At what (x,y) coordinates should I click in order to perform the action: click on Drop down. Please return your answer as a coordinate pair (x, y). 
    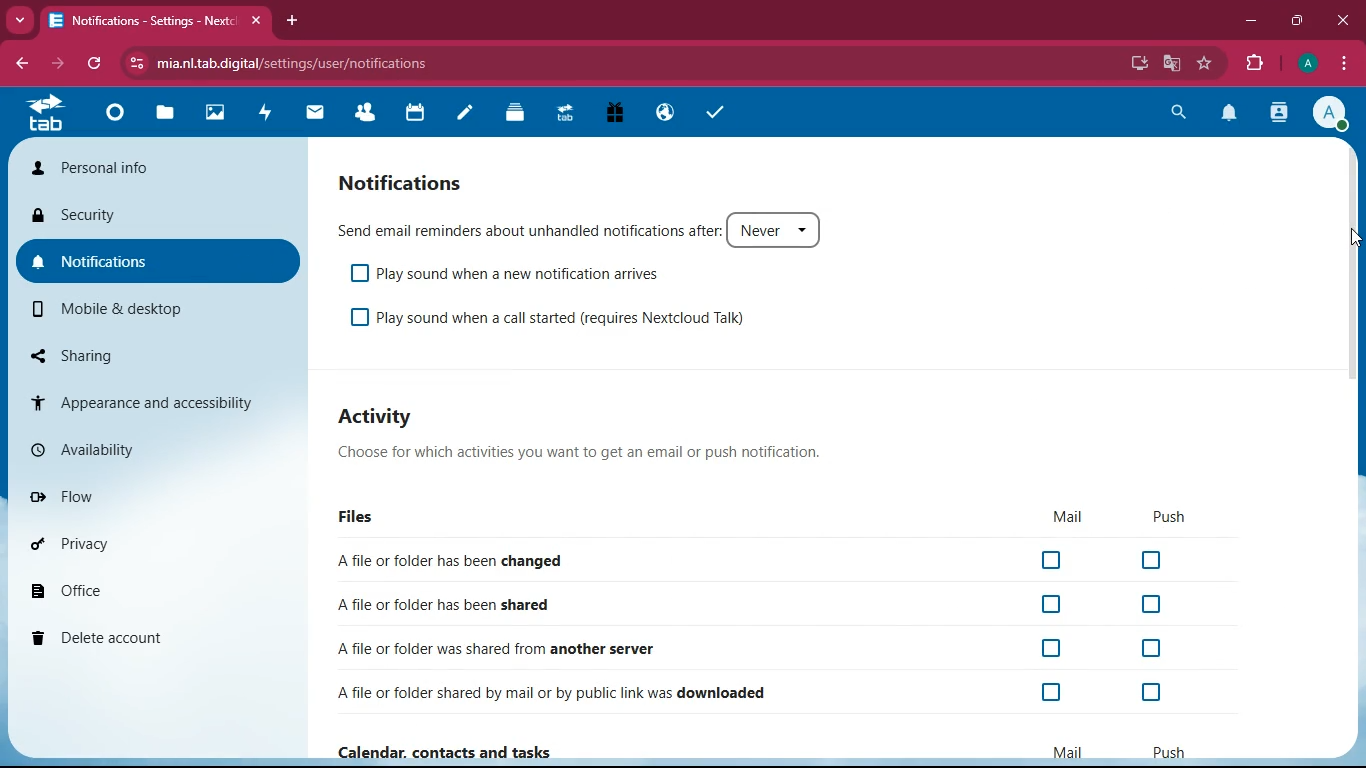
    Looking at the image, I should click on (21, 21).